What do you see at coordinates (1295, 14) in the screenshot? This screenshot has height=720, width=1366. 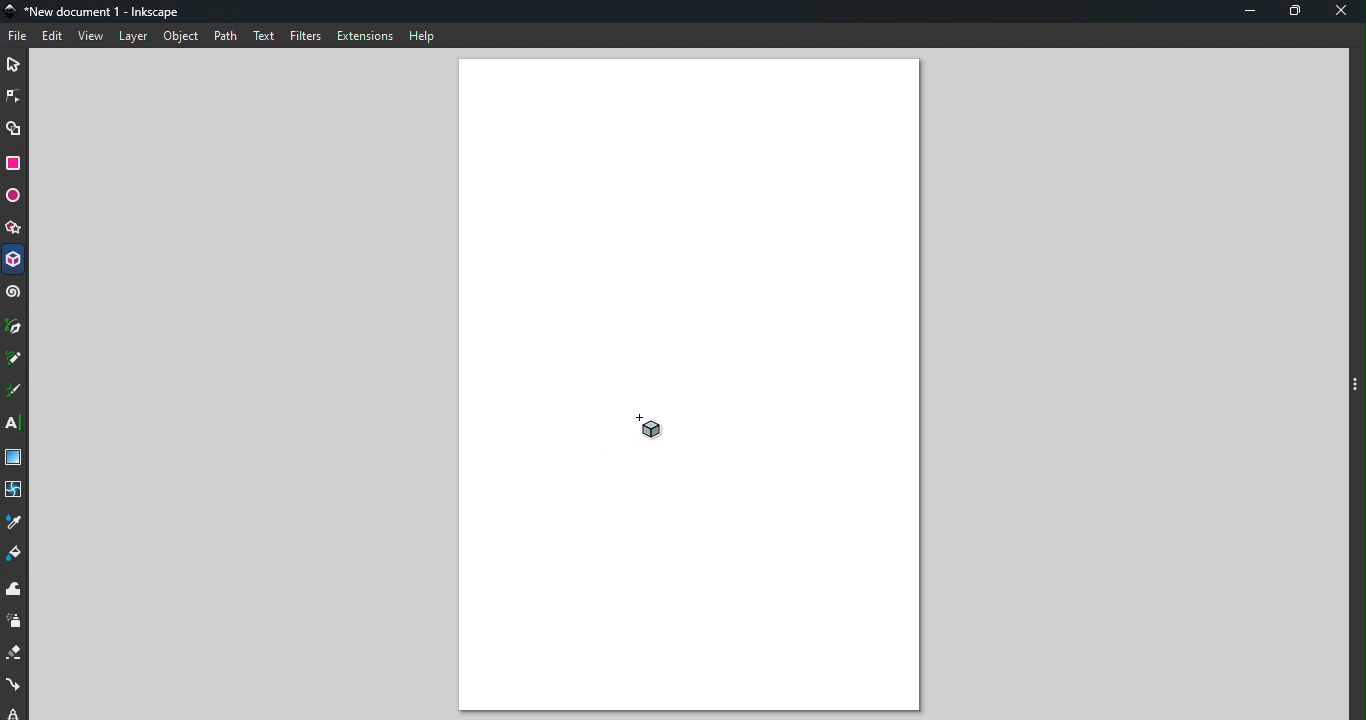 I see `Maximize` at bounding box center [1295, 14].